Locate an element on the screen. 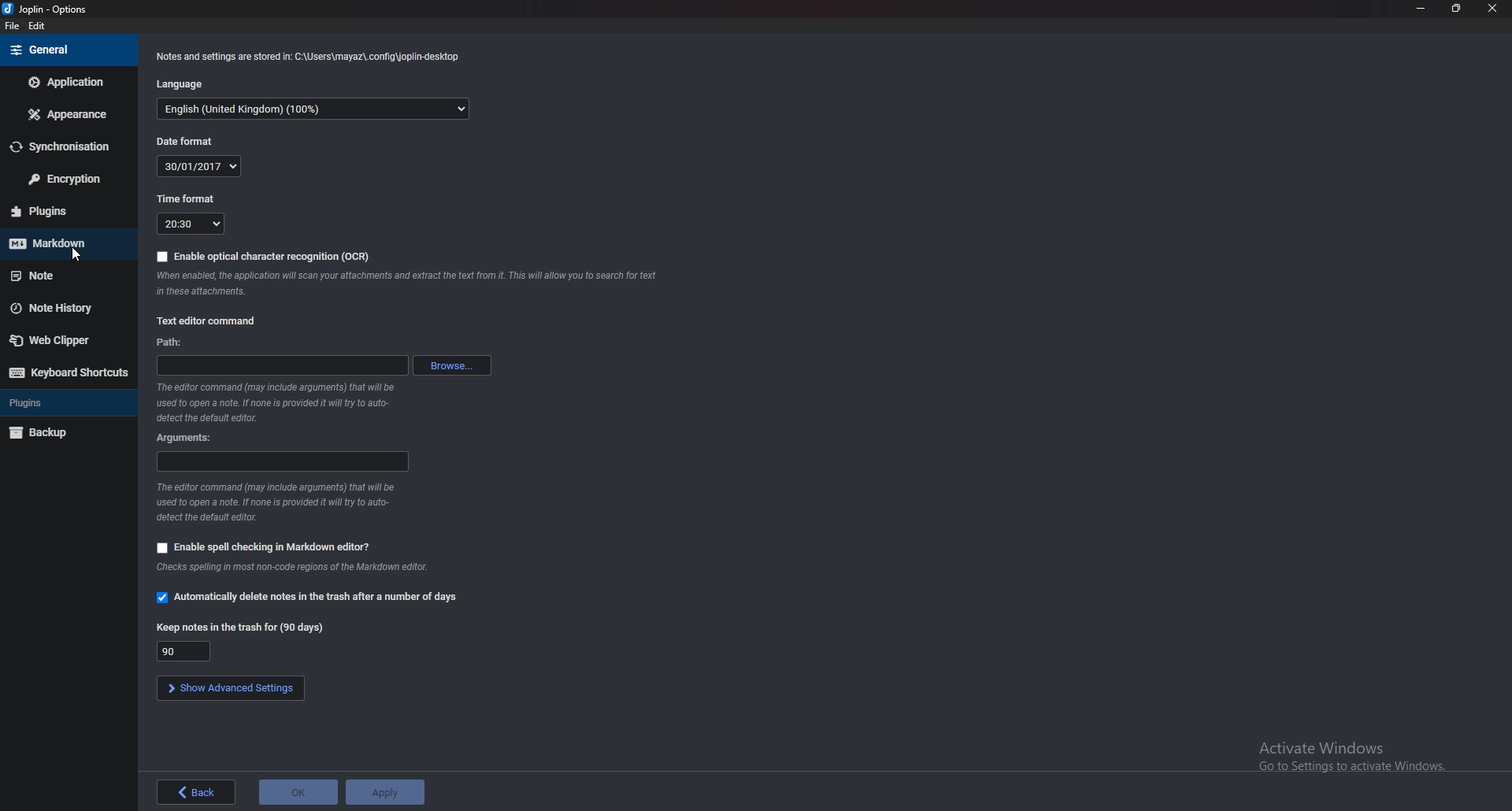  text editor Command is located at coordinates (216, 320).